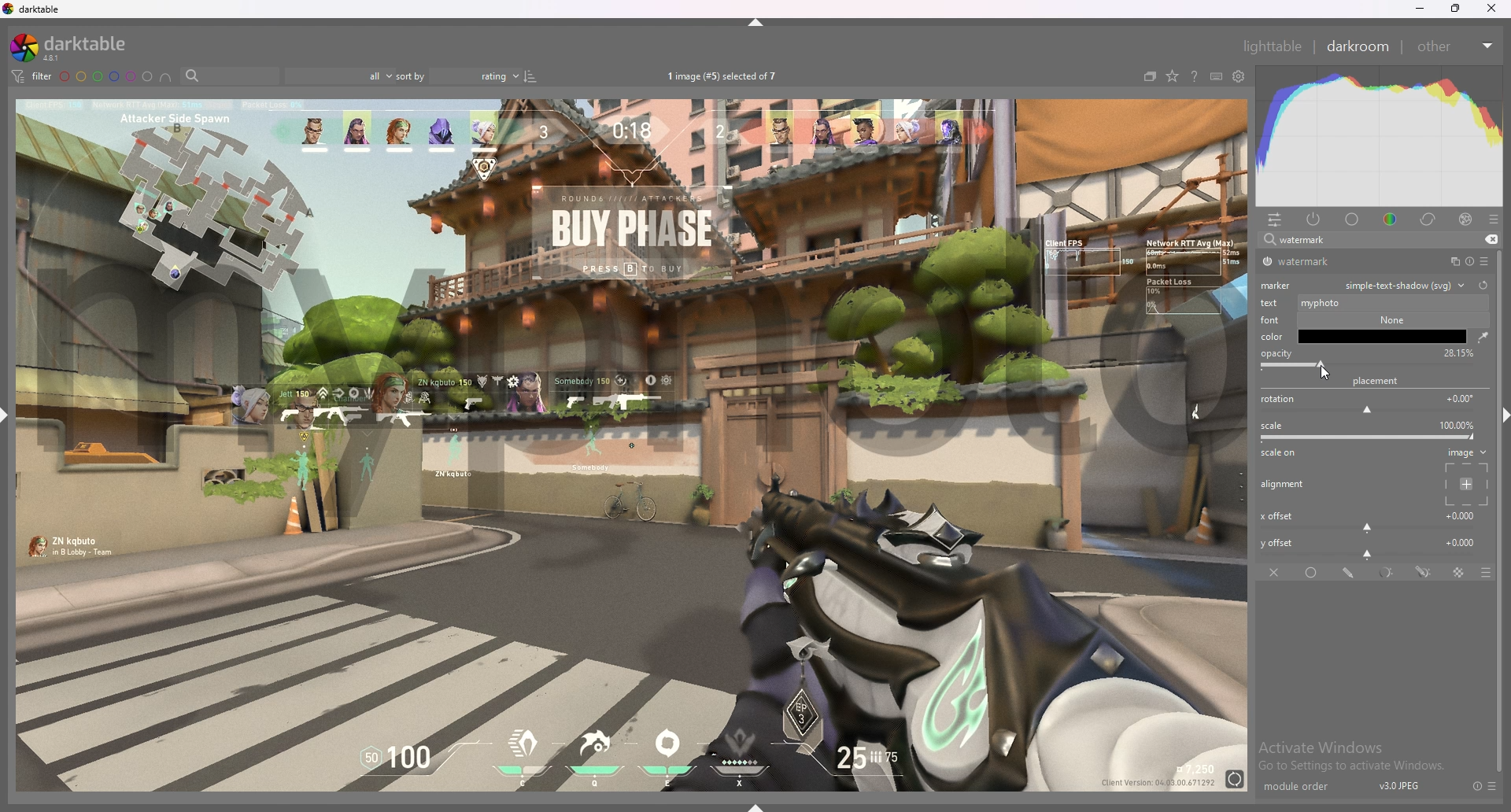 The width and height of the screenshot is (1511, 812). I want to click on watermark, so click(642, 367).